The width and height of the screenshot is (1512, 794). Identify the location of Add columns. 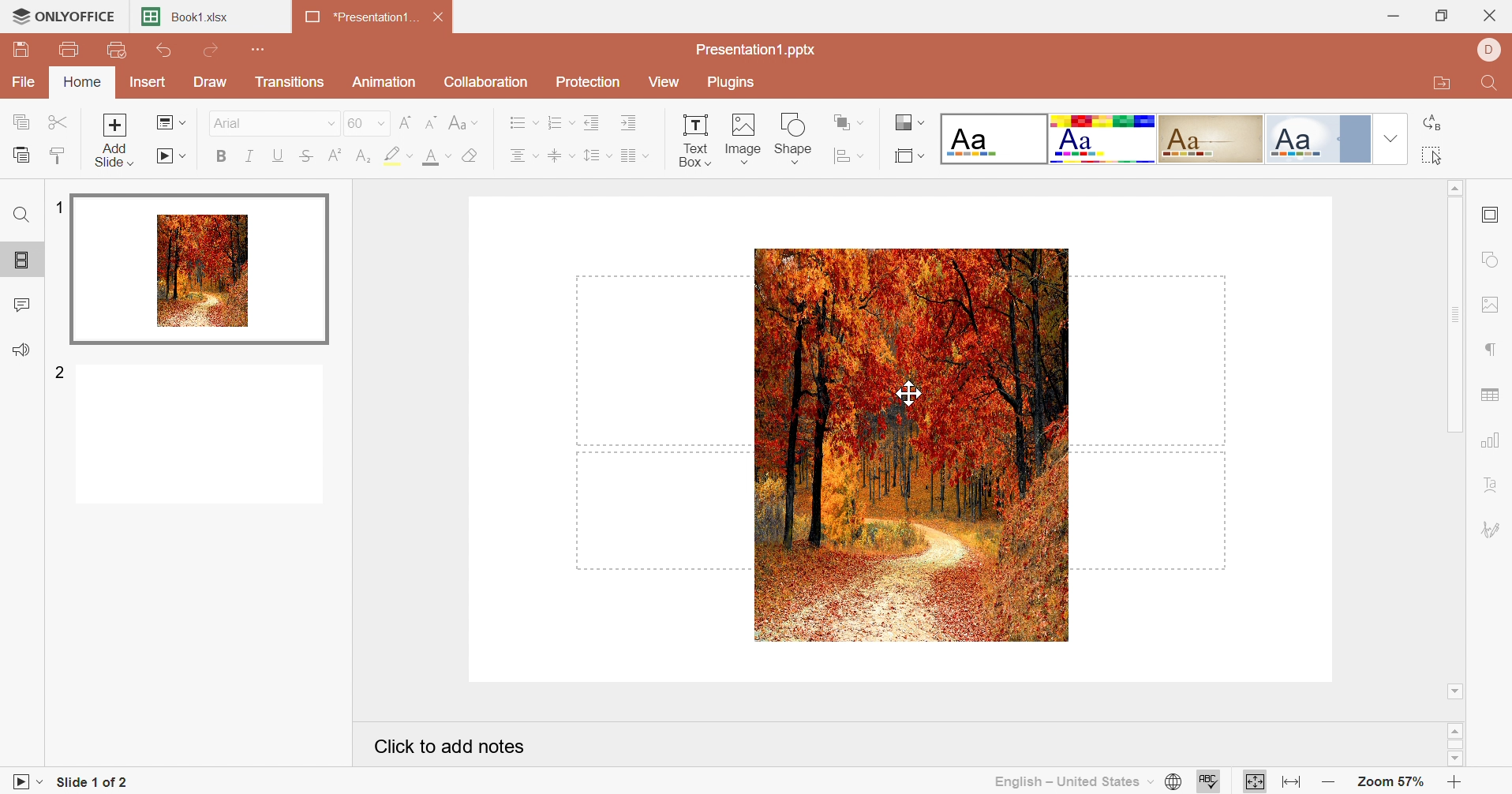
(633, 156).